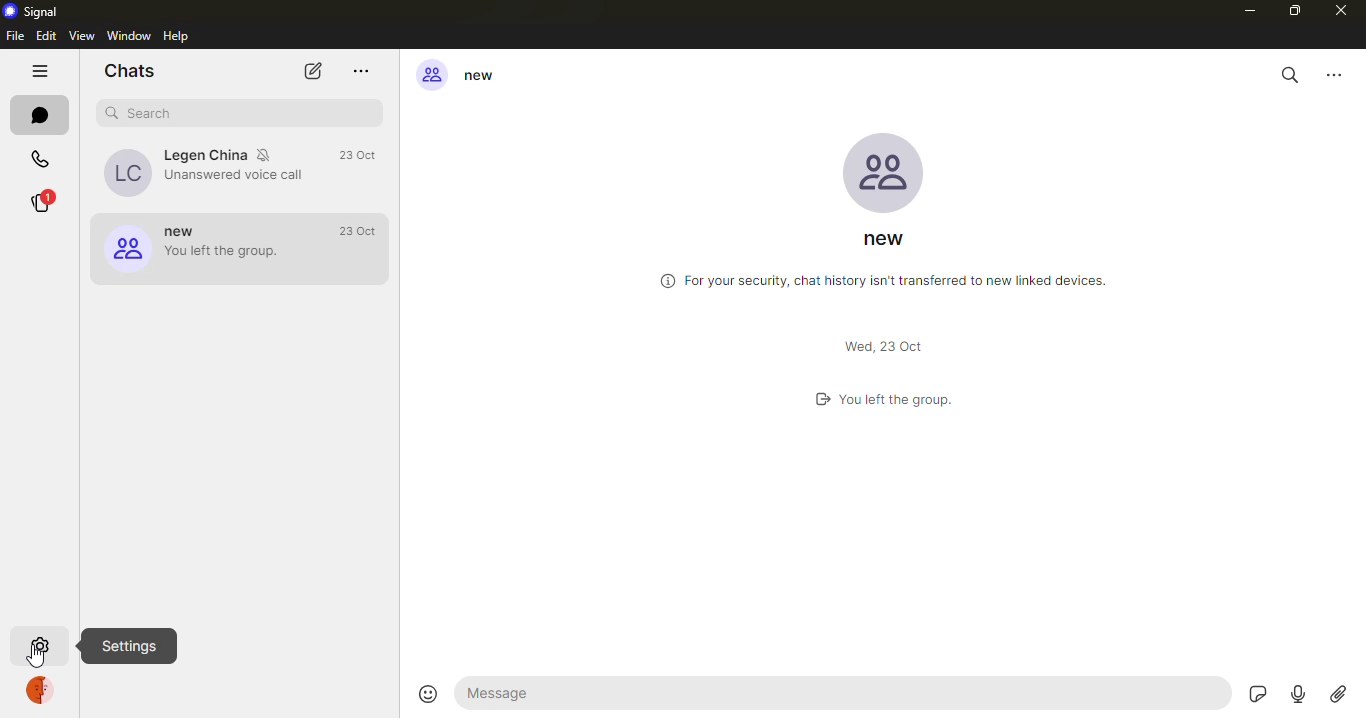 The image size is (1366, 718). Describe the element at coordinates (427, 692) in the screenshot. I see `emoji` at that location.